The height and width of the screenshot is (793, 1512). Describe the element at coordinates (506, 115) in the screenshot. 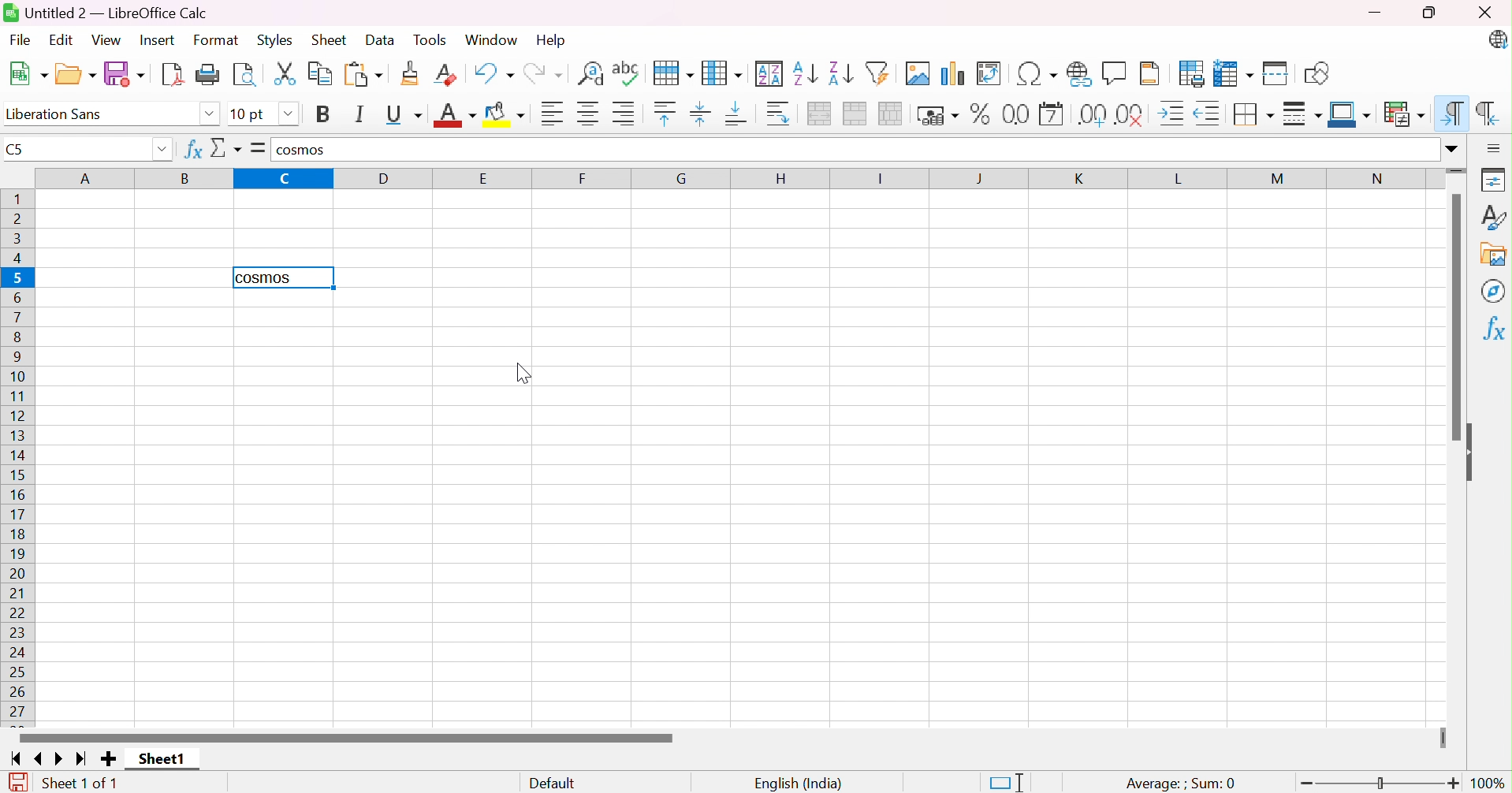

I see `Background Color` at that location.